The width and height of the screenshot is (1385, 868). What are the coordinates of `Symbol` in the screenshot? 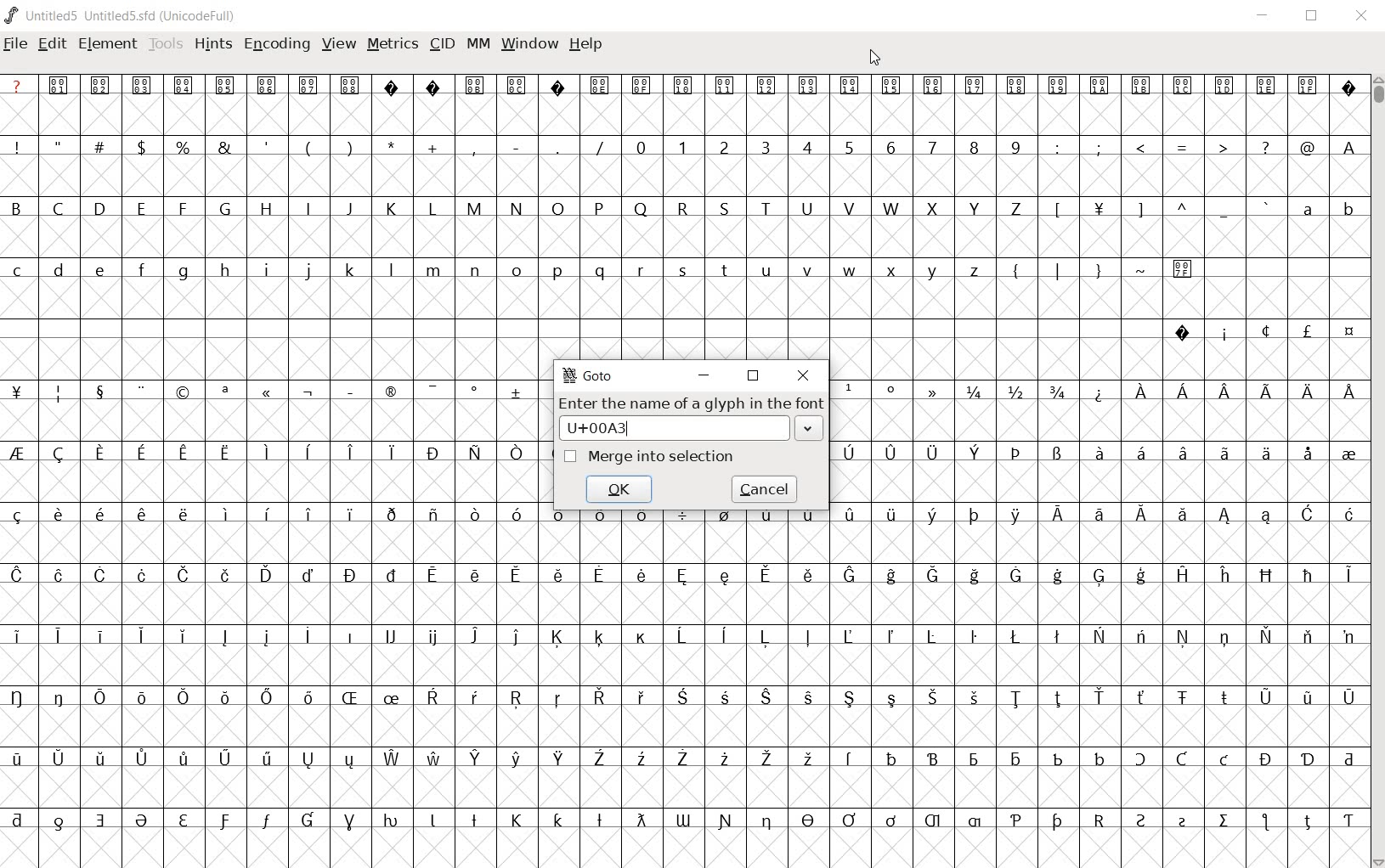 It's located at (140, 391).